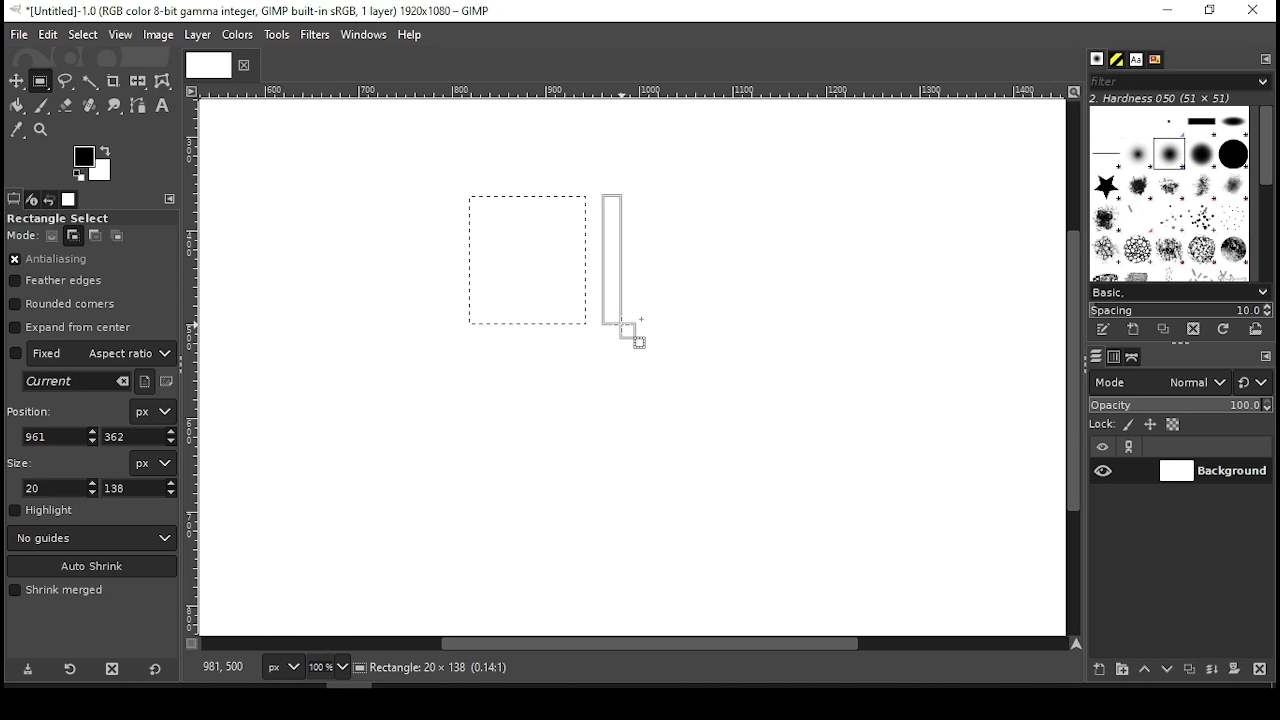  I want to click on guides, so click(92, 538).